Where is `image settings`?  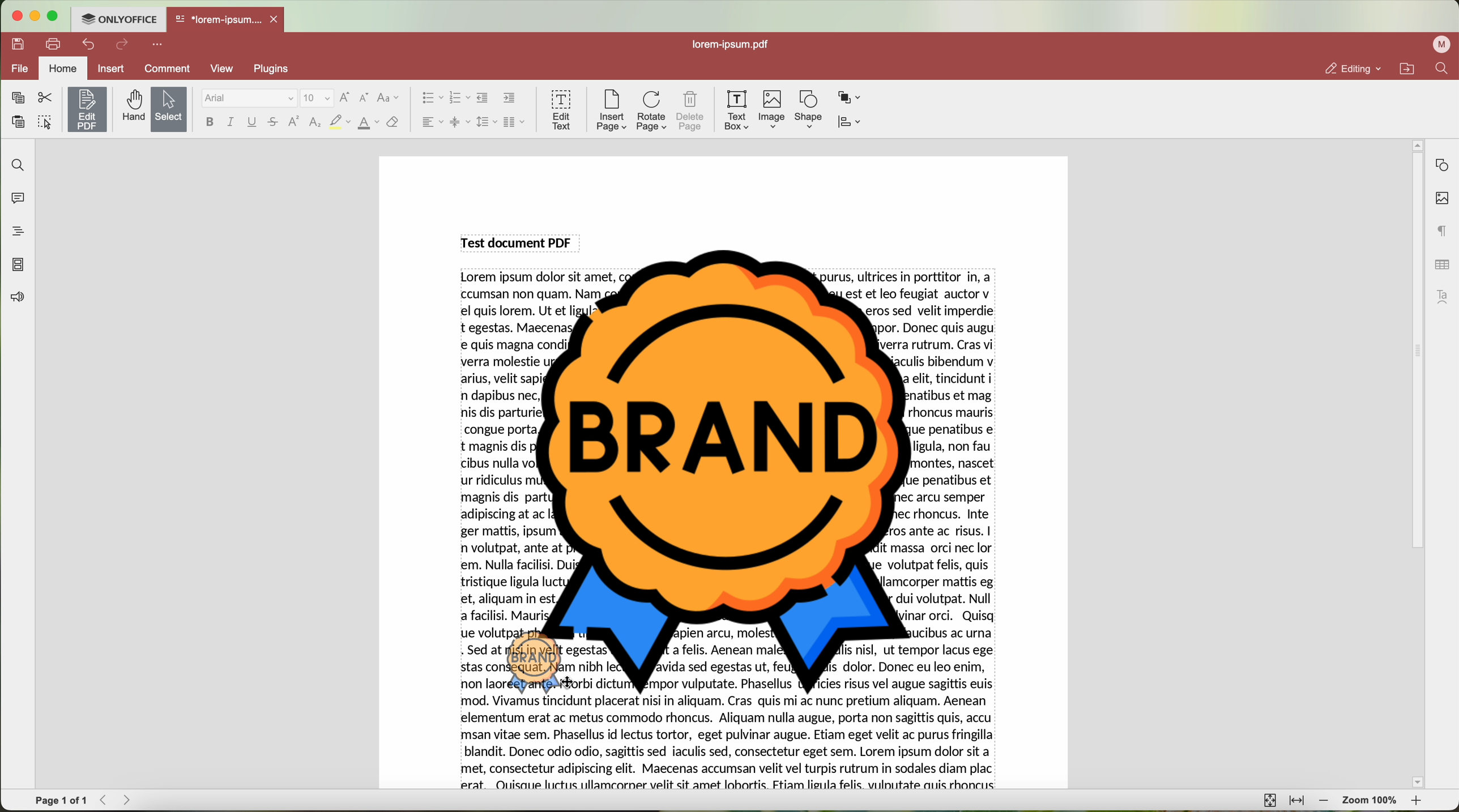
image settings is located at coordinates (1442, 199).